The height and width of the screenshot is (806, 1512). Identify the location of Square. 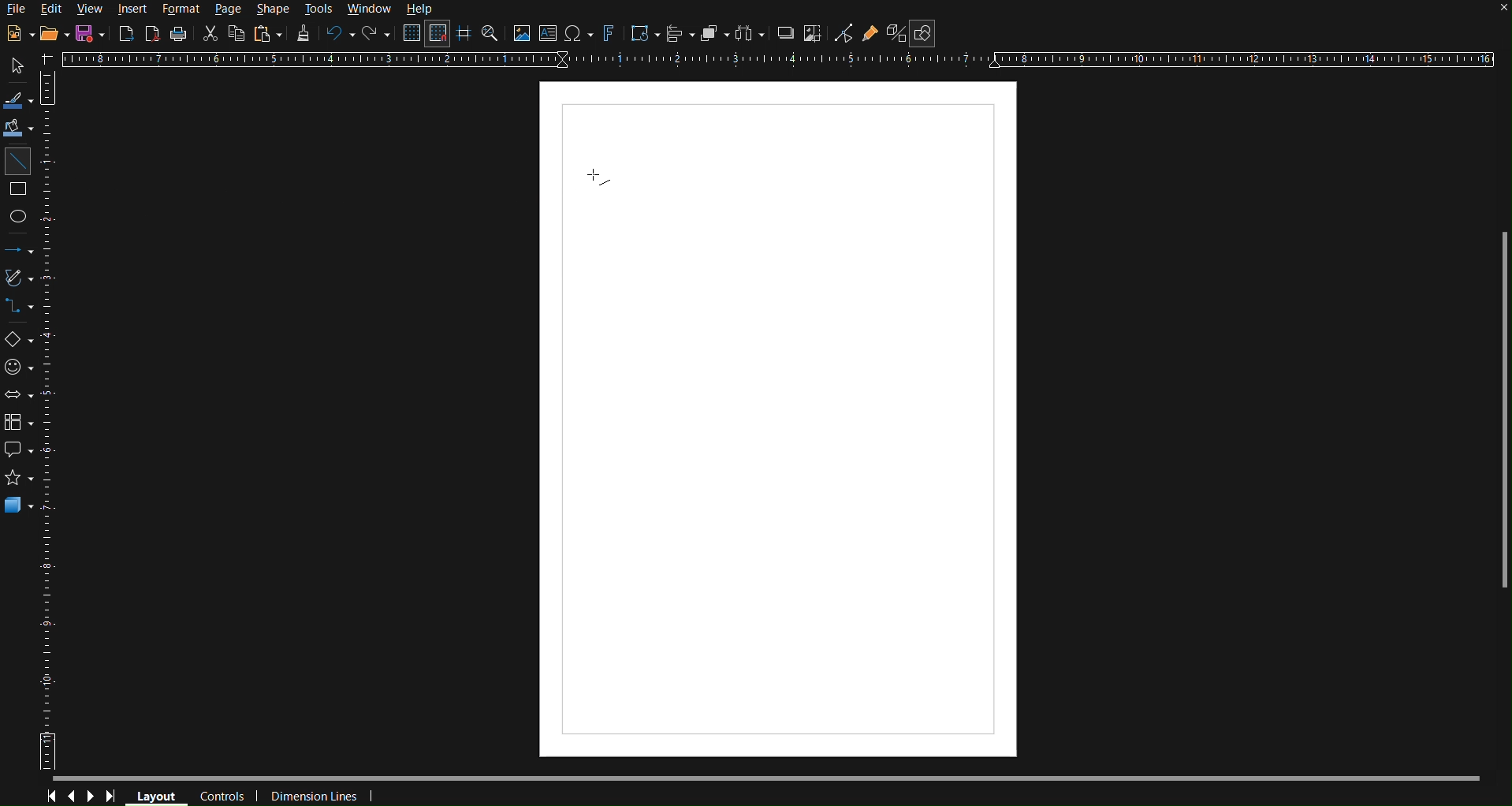
(19, 192).